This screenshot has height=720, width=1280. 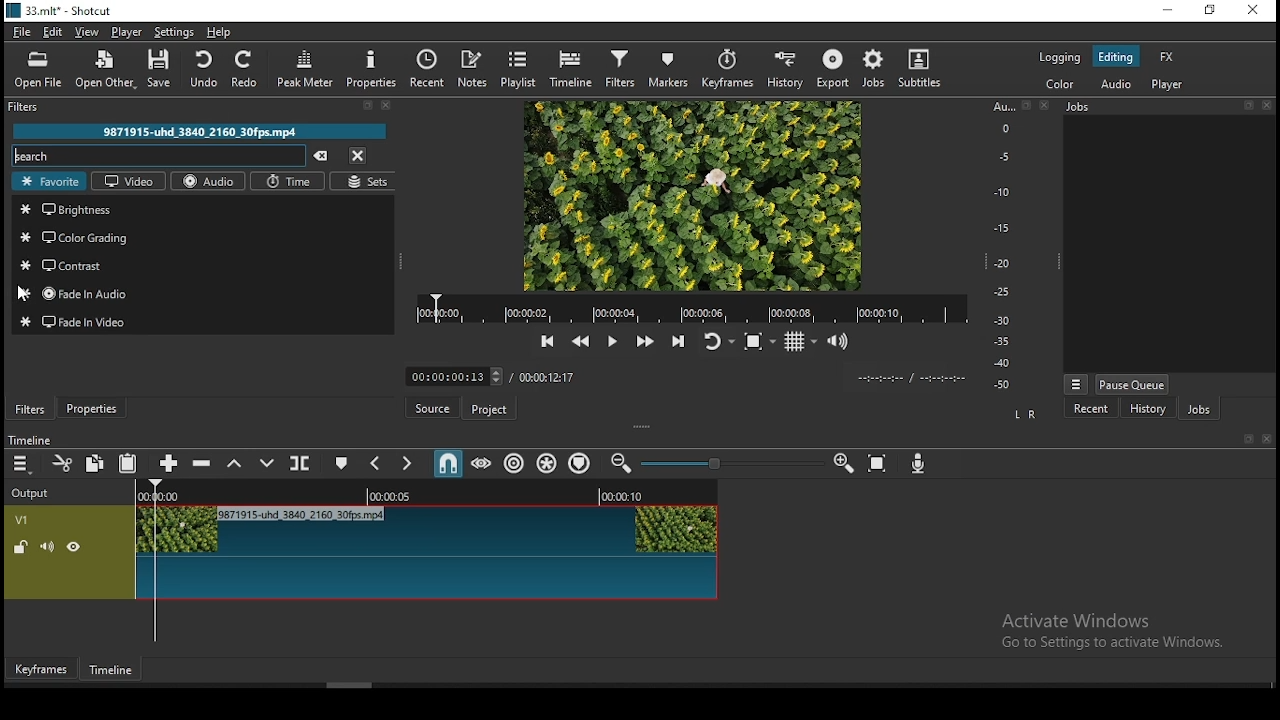 I want to click on favorites, so click(x=47, y=183).